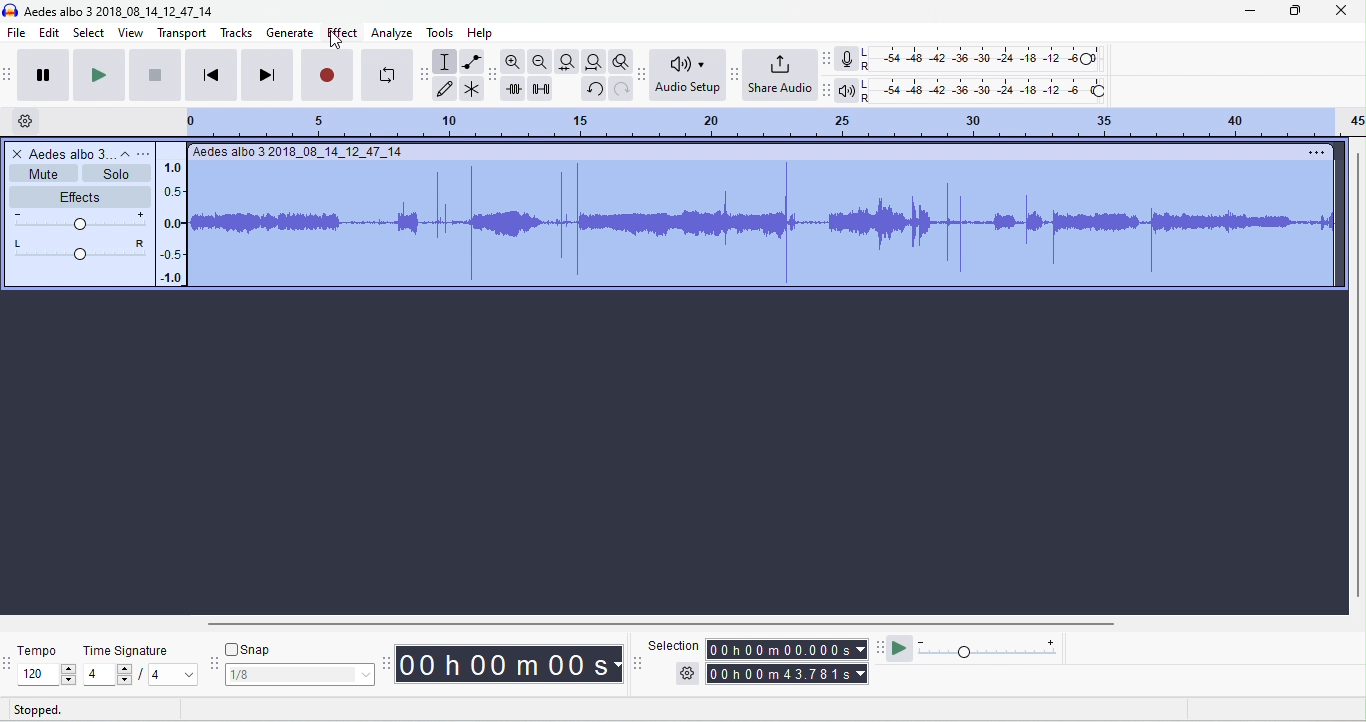 The width and height of the screenshot is (1366, 722). What do you see at coordinates (640, 665) in the screenshot?
I see `selection toolbar` at bounding box center [640, 665].